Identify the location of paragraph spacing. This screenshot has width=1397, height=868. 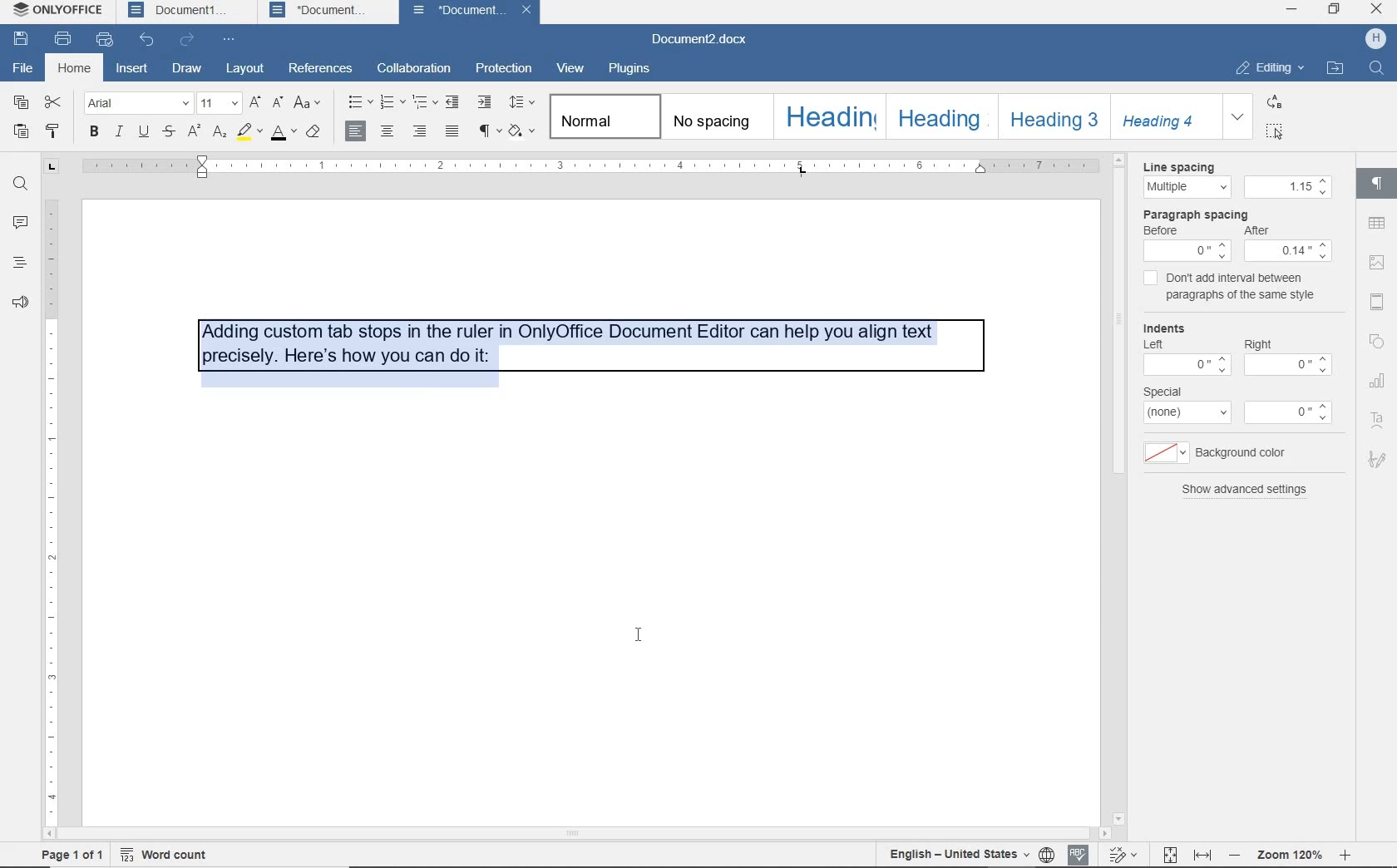
(1197, 214).